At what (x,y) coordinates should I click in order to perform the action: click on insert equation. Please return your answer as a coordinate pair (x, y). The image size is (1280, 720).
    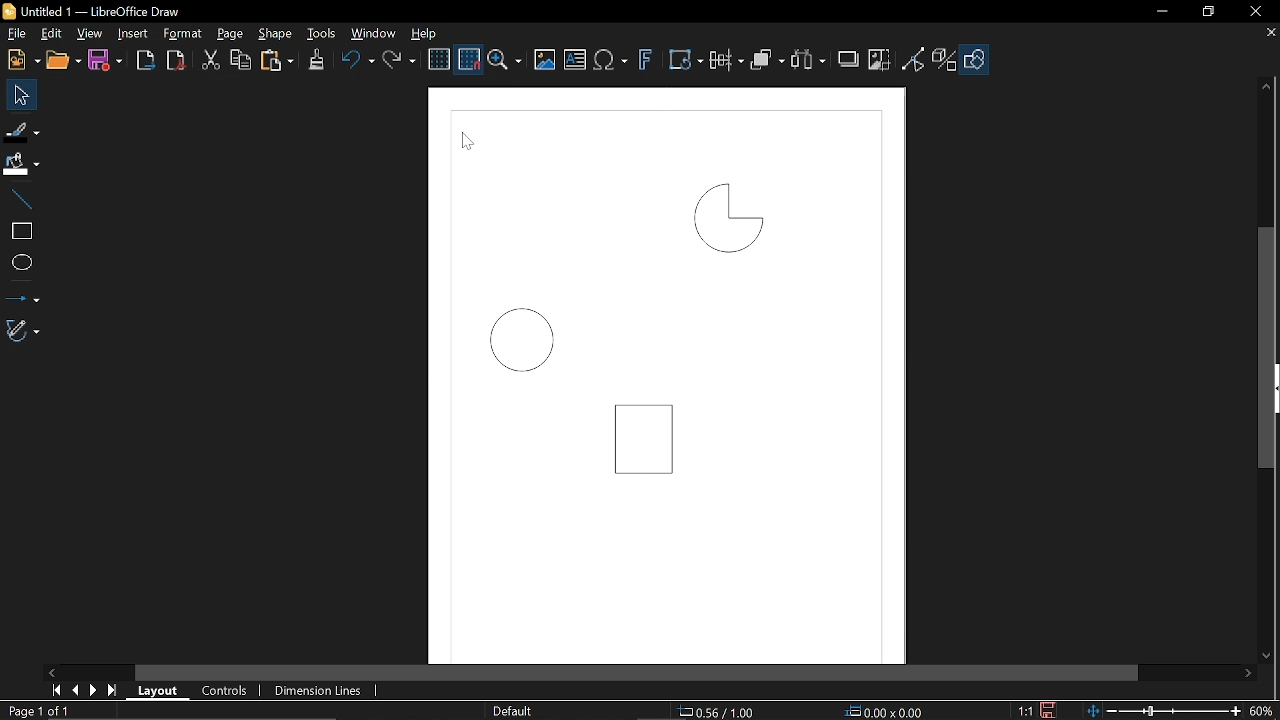
    Looking at the image, I should click on (613, 62).